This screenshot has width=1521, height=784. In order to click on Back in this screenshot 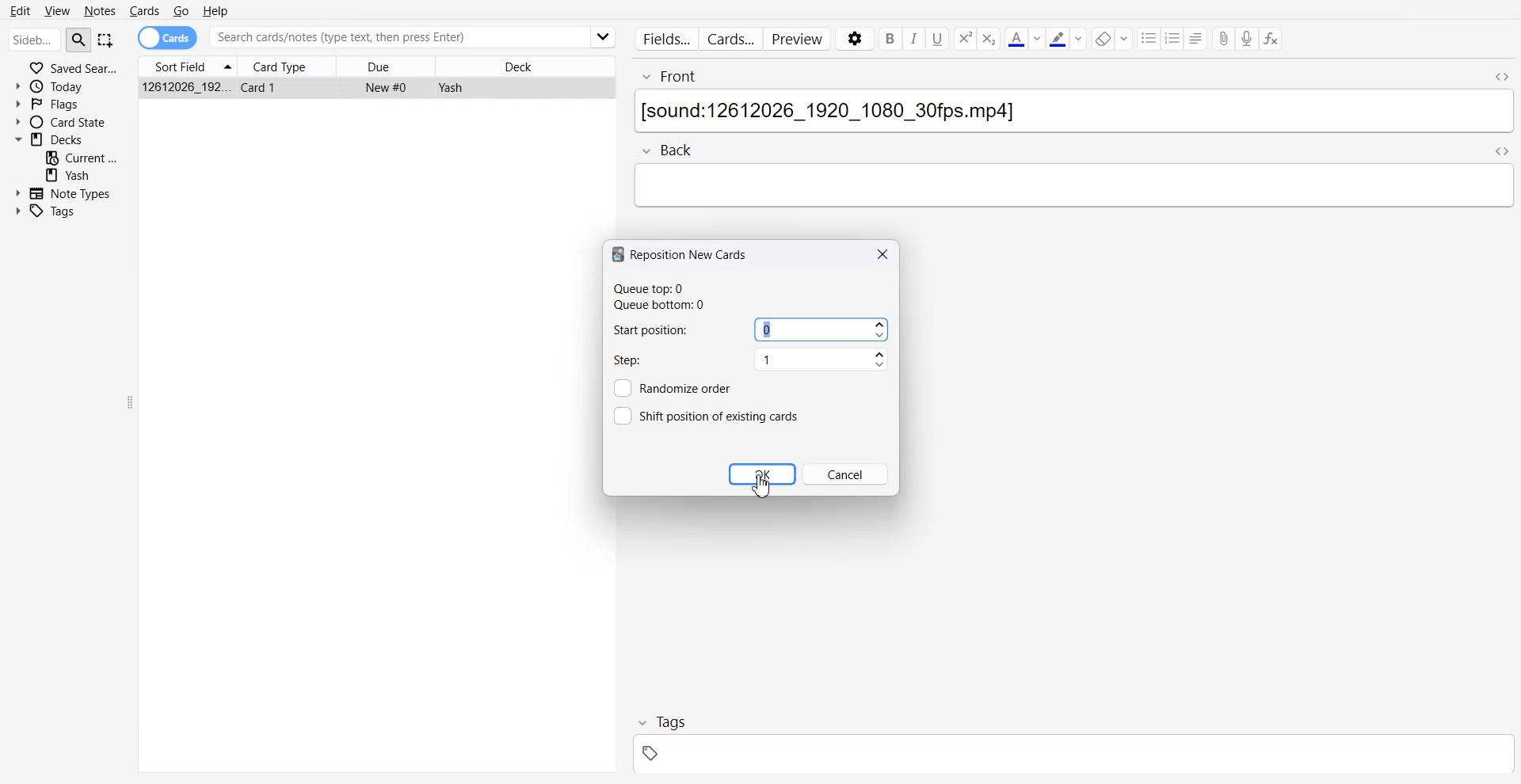, I will do `click(671, 148)`.